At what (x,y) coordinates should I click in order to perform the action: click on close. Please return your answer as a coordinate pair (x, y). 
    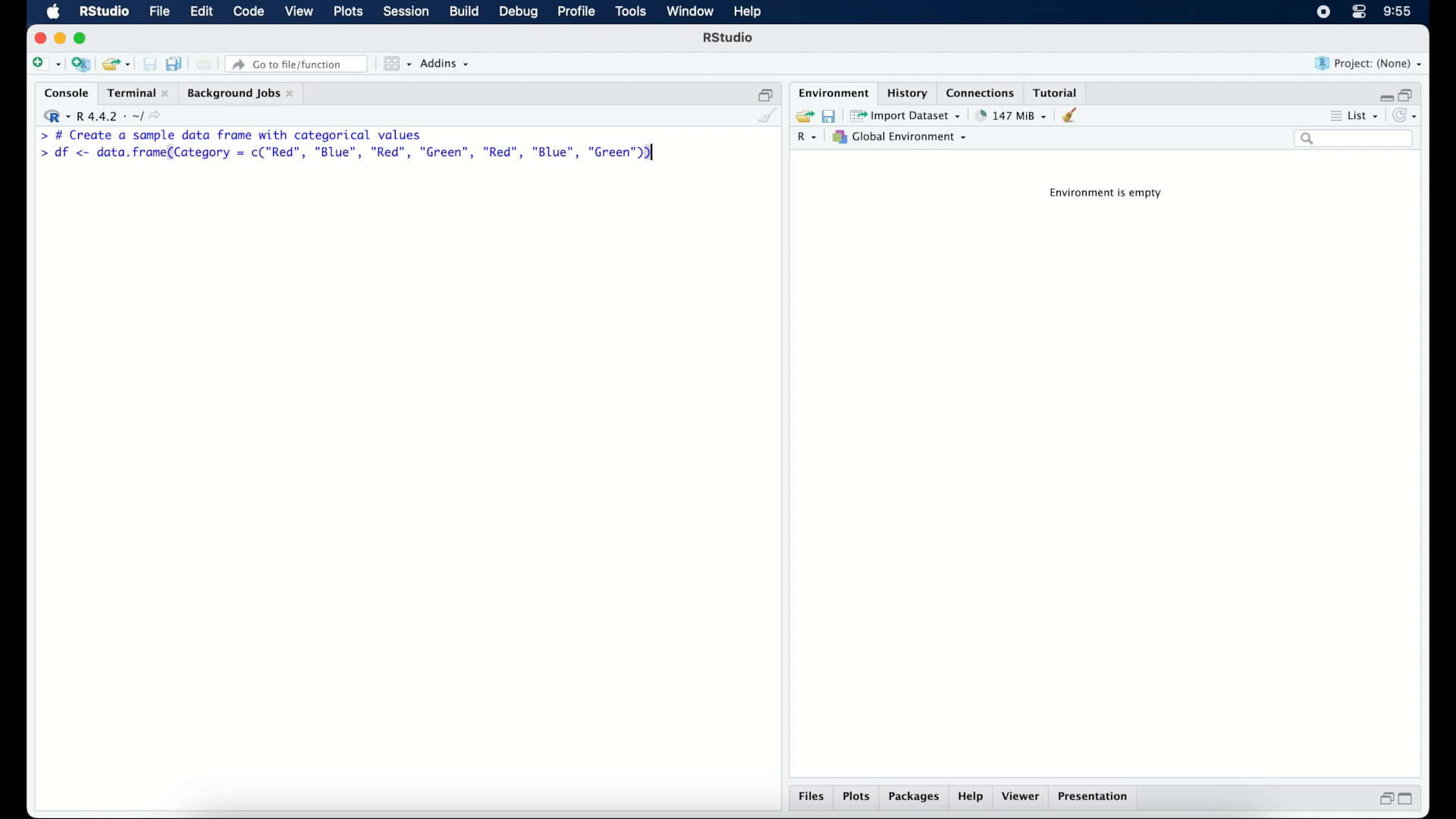
    Looking at the image, I should click on (37, 37).